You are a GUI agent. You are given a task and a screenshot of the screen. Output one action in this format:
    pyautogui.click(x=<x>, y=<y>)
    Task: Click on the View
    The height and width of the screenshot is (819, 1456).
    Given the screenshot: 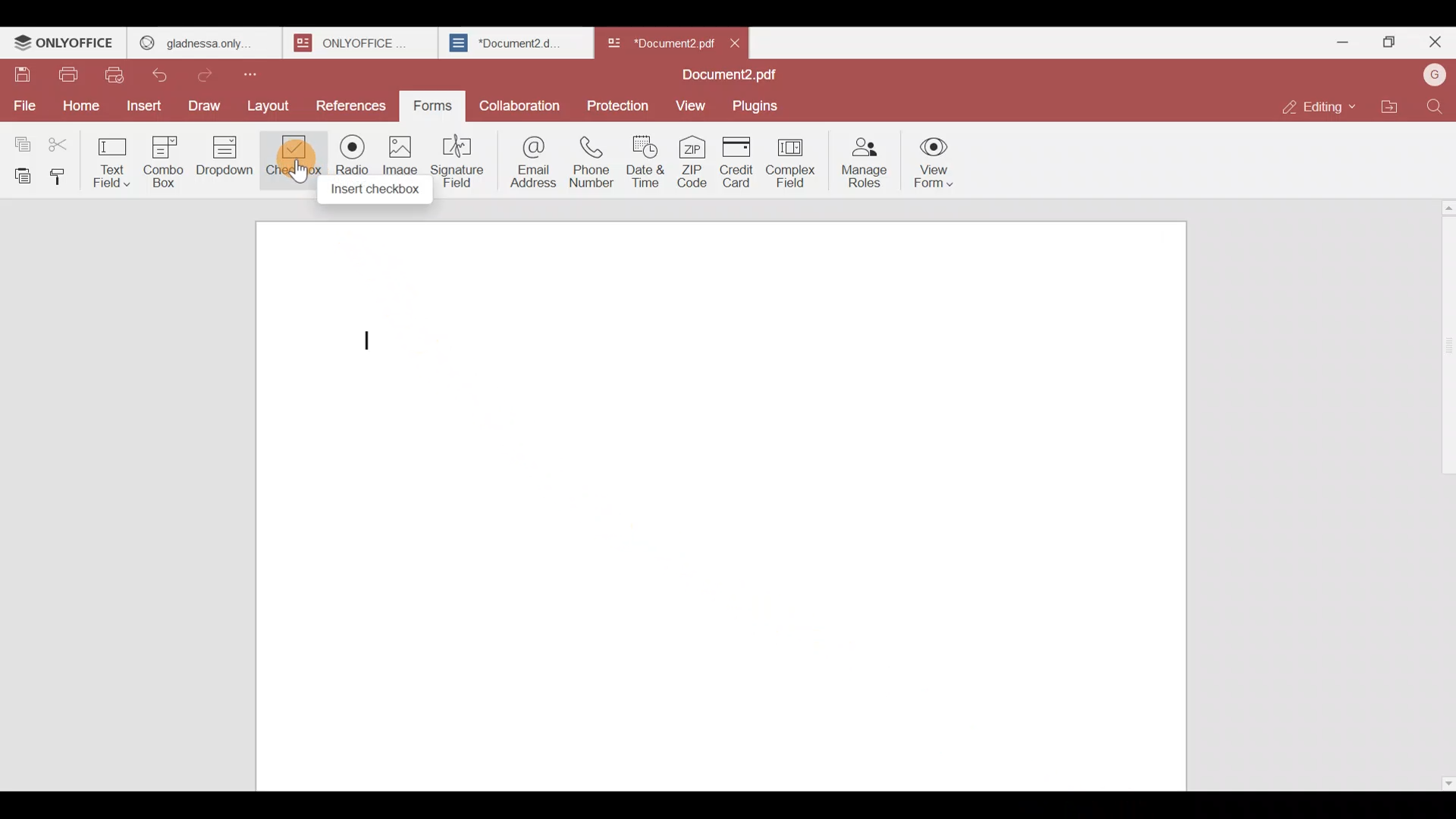 What is the action you would take?
    pyautogui.click(x=693, y=105)
    